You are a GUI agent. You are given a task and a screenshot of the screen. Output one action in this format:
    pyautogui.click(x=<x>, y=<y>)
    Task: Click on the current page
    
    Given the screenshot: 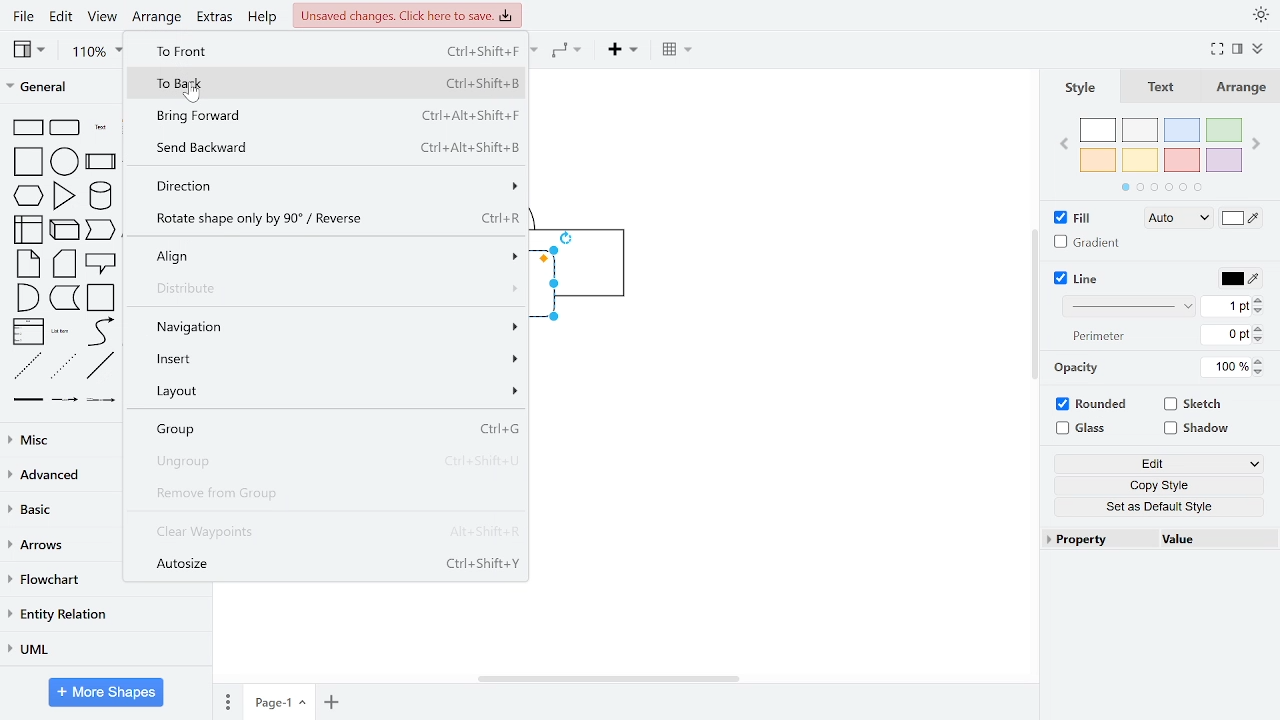 What is the action you would take?
    pyautogui.click(x=278, y=700)
    